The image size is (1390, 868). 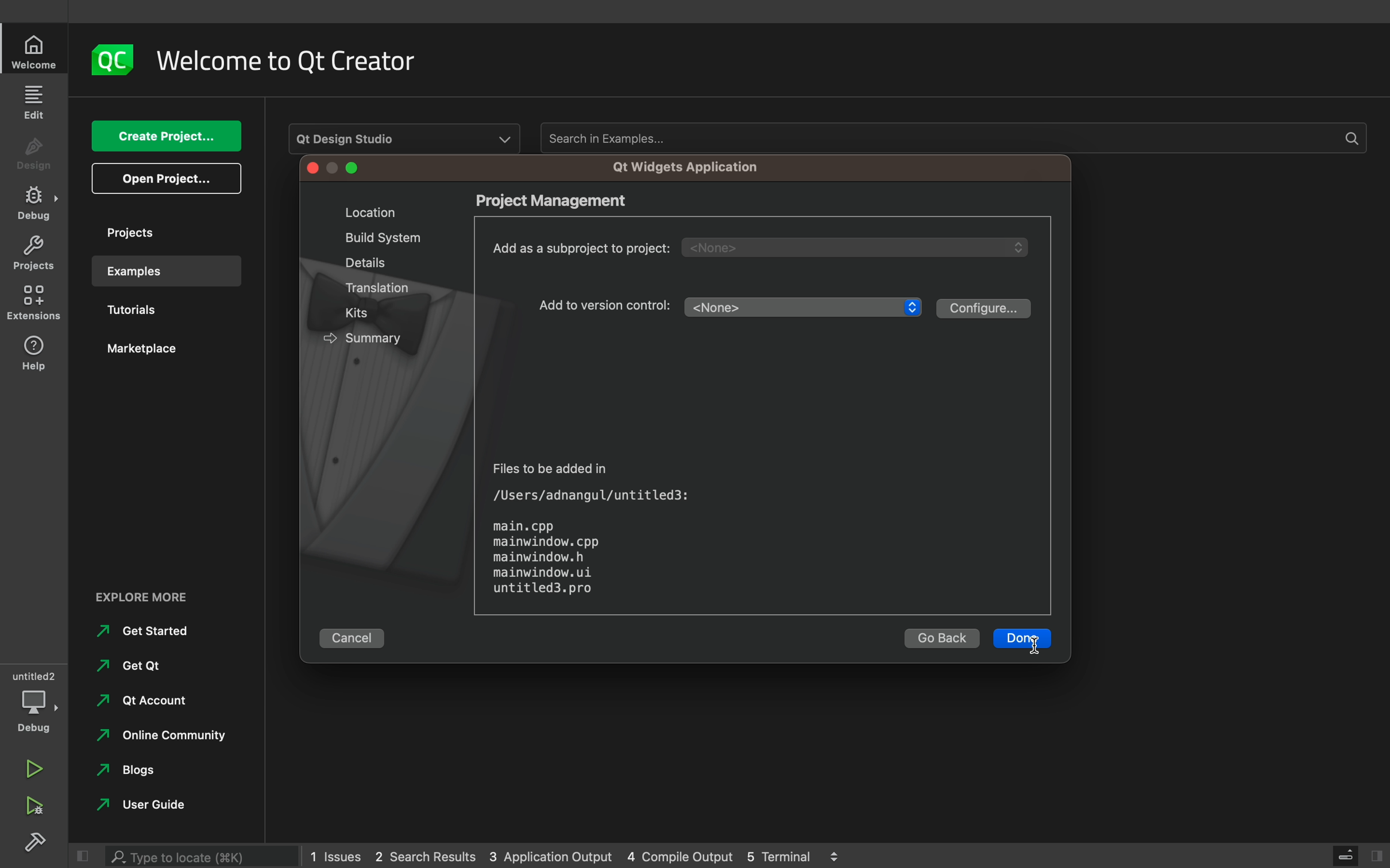 What do you see at coordinates (144, 632) in the screenshot?
I see `get started` at bounding box center [144, 632].